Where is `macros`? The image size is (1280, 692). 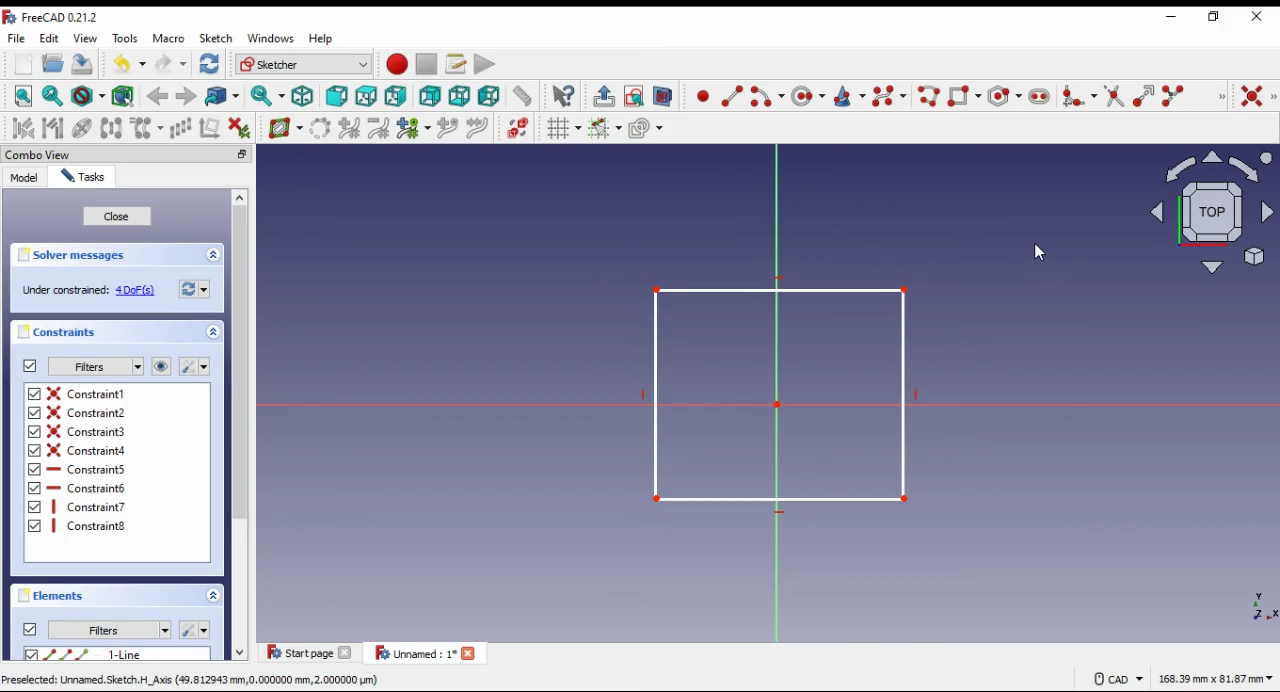 macros is located at coordinates (455, 65).